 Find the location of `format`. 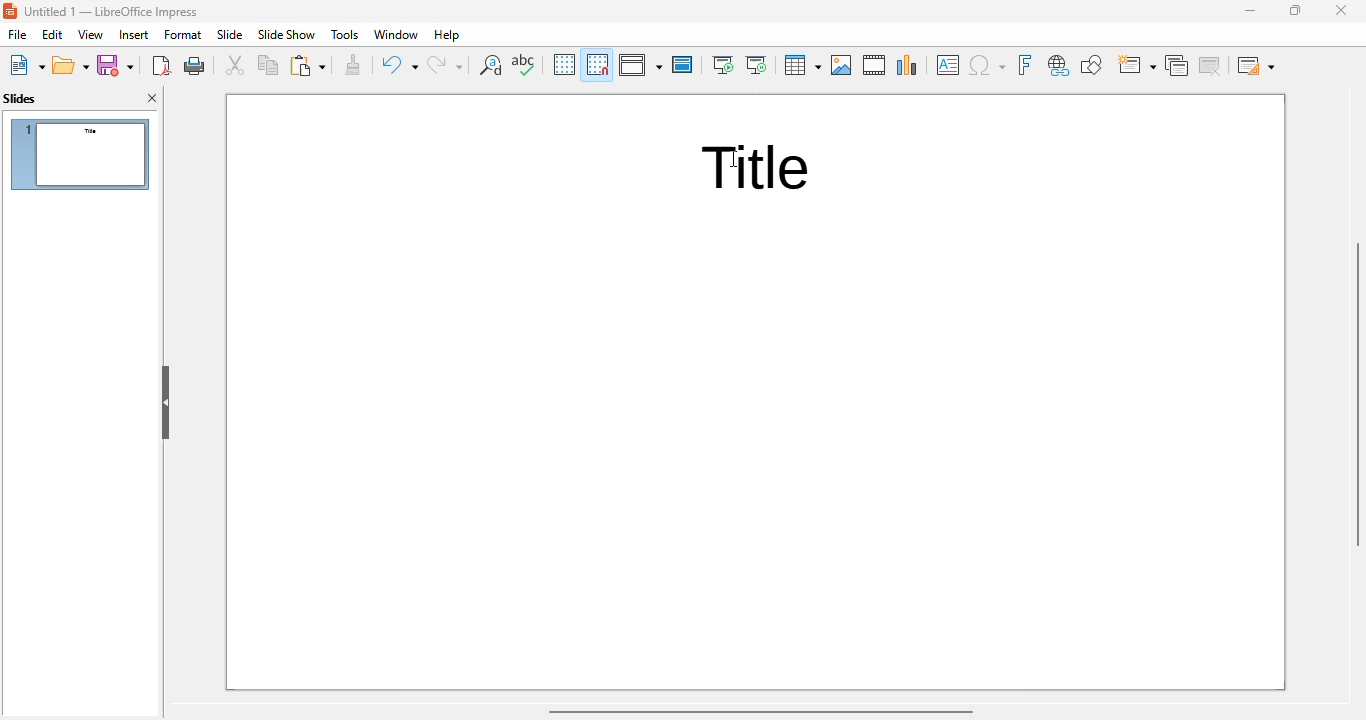

format is located at coordinates (184, 35).